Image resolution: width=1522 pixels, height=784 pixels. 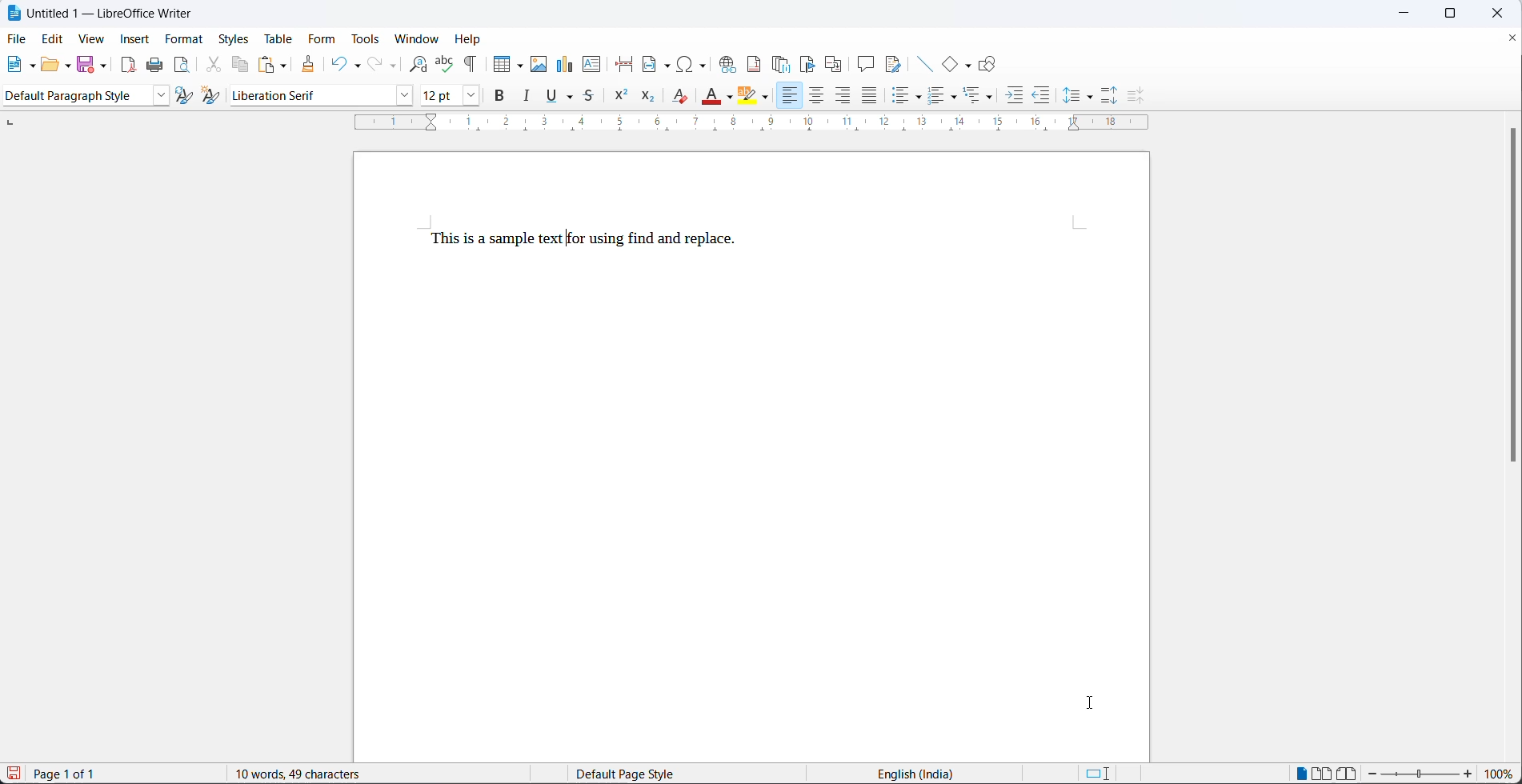 What do you see at coordinates (567, 62) in the screenshot?
I see `insert chart` at bounding box center [567, 62].